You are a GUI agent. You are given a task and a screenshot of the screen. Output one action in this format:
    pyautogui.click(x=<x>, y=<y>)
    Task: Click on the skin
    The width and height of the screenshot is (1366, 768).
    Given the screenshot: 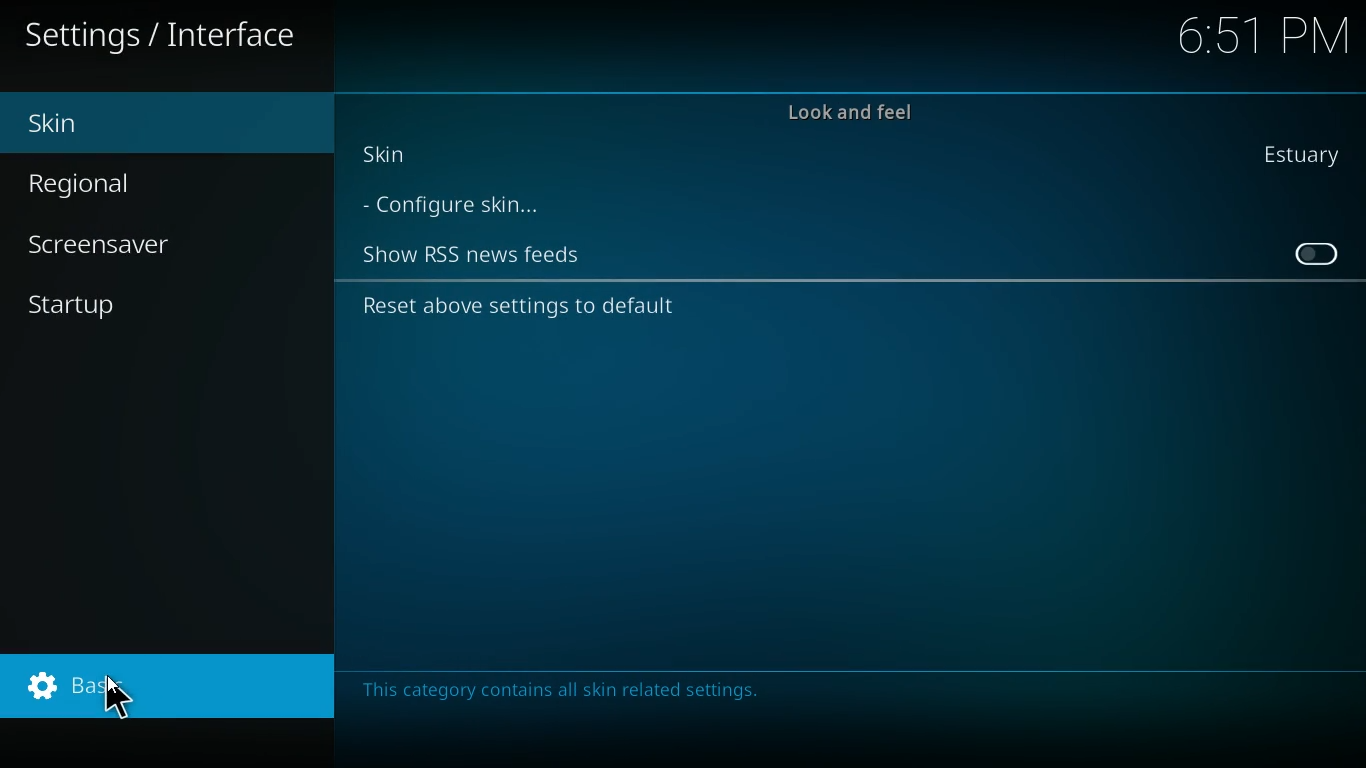 What is the action you would take?
    pyautogui.click(x=157, y=122)
    